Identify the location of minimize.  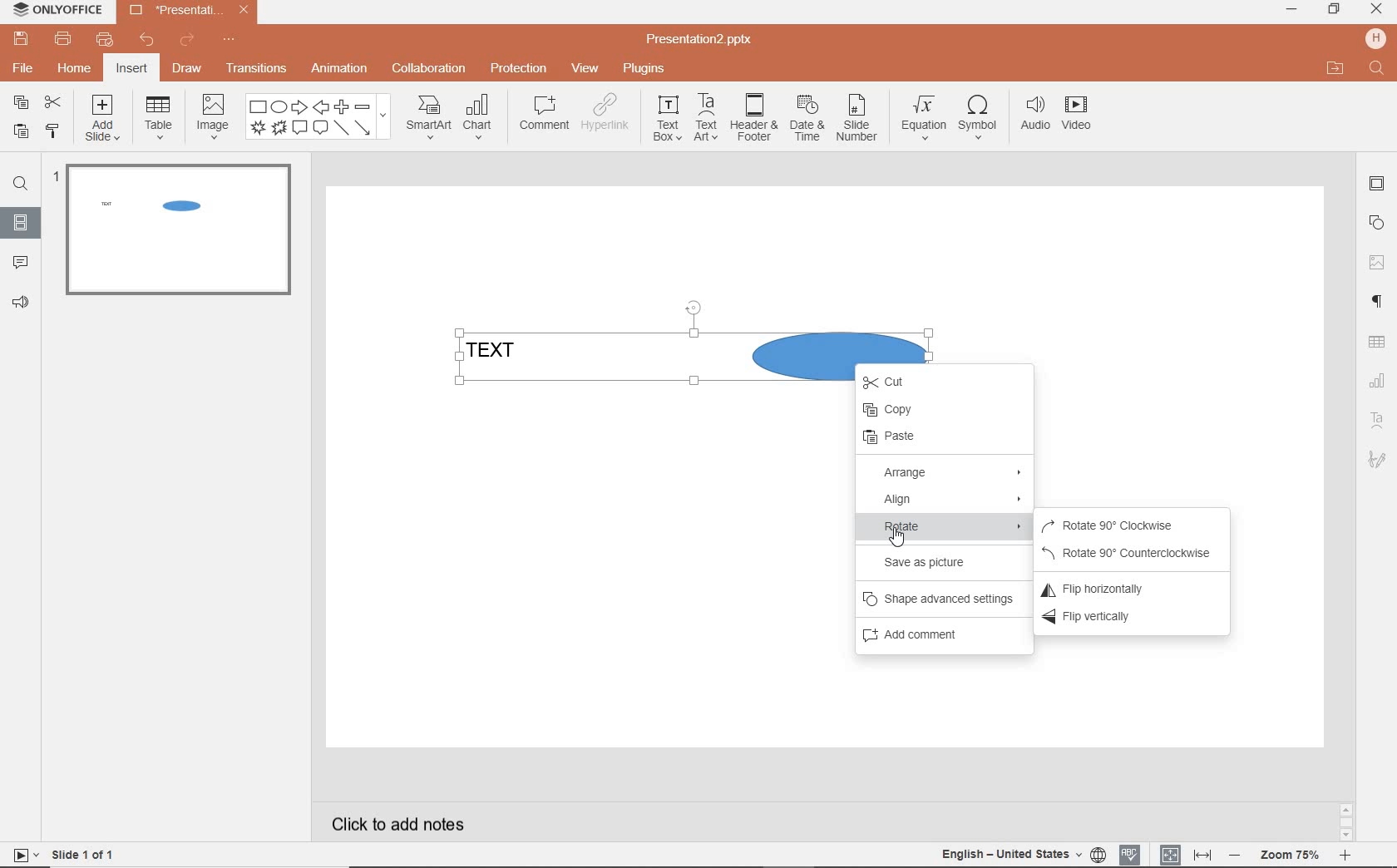
(1291, 10).